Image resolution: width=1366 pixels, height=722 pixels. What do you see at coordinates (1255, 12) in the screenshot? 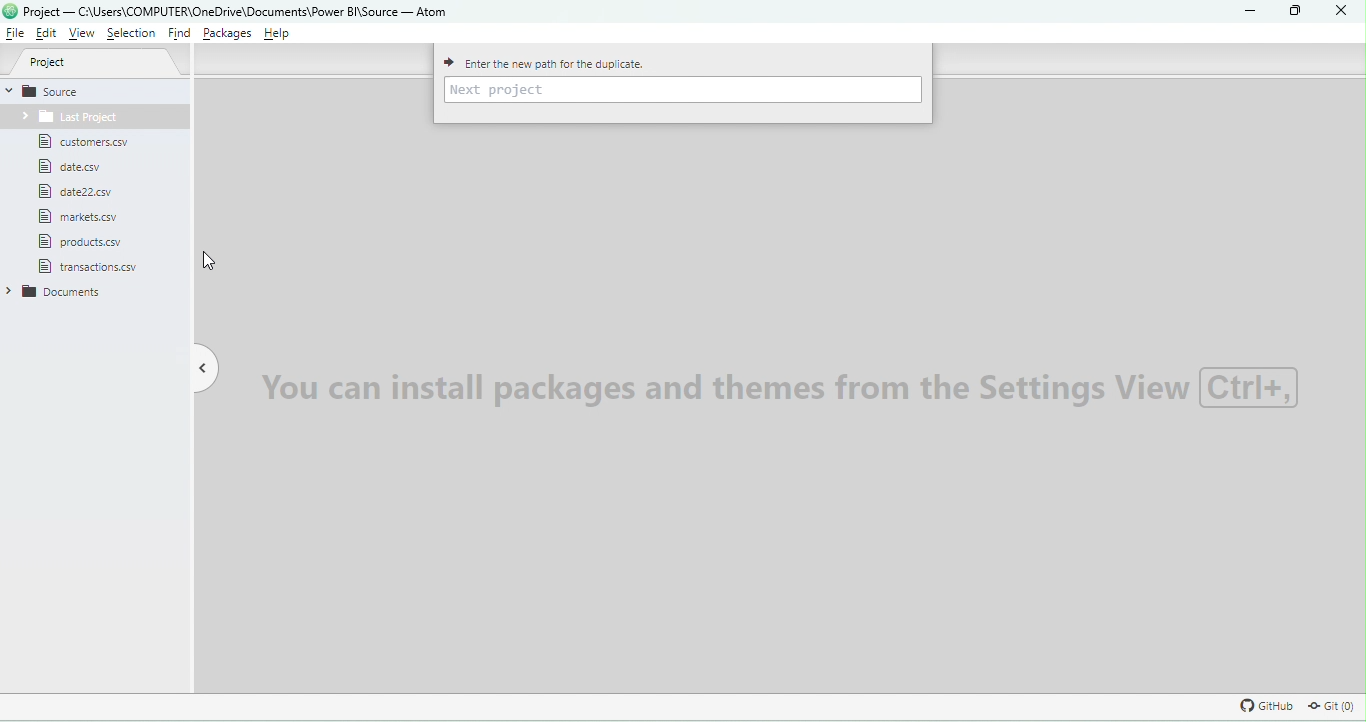
I see `Minimize` at bounding box center [1255, 12].